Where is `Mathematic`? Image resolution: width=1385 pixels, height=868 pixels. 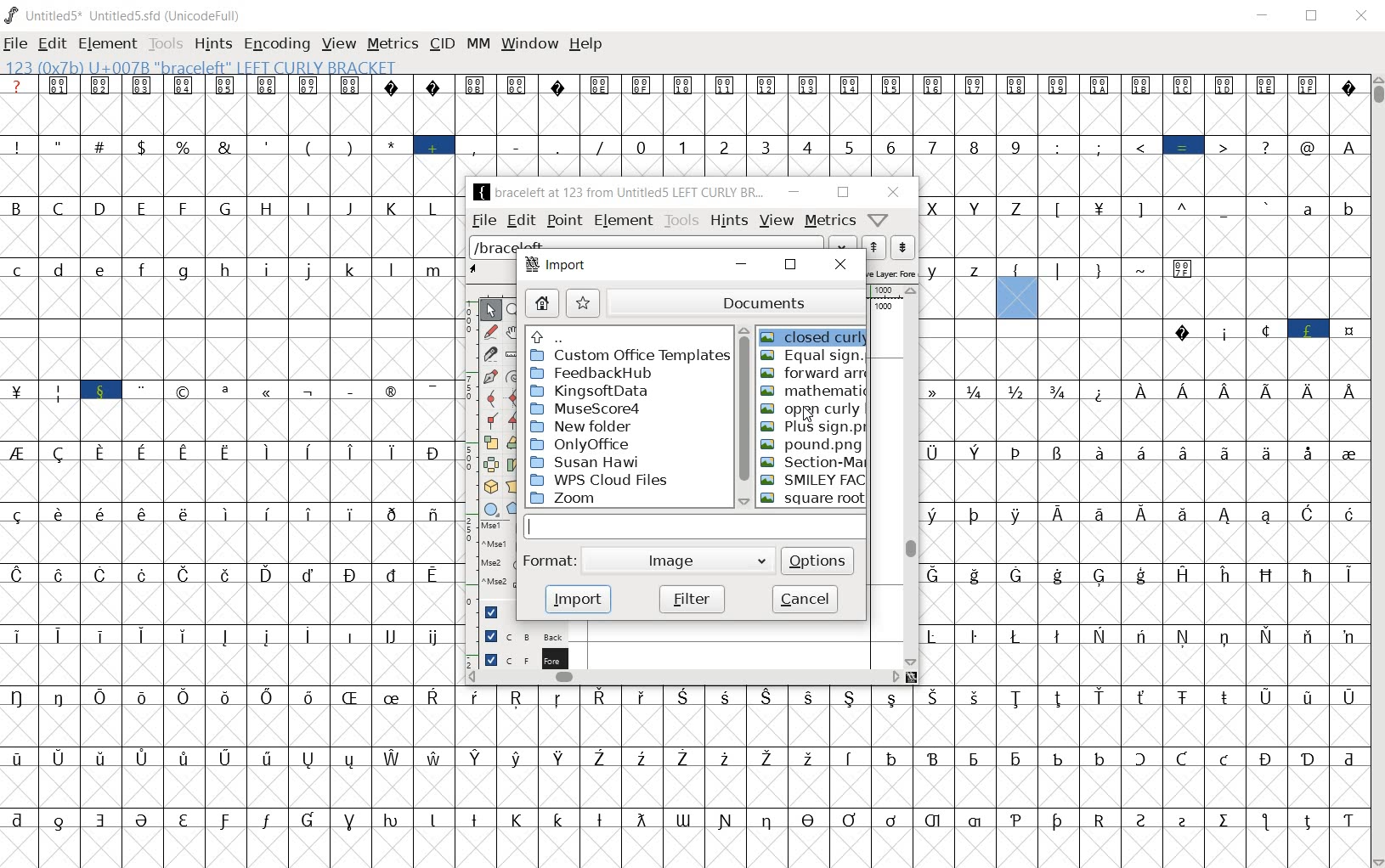 Mathematic is located at coordinates (814, 389).